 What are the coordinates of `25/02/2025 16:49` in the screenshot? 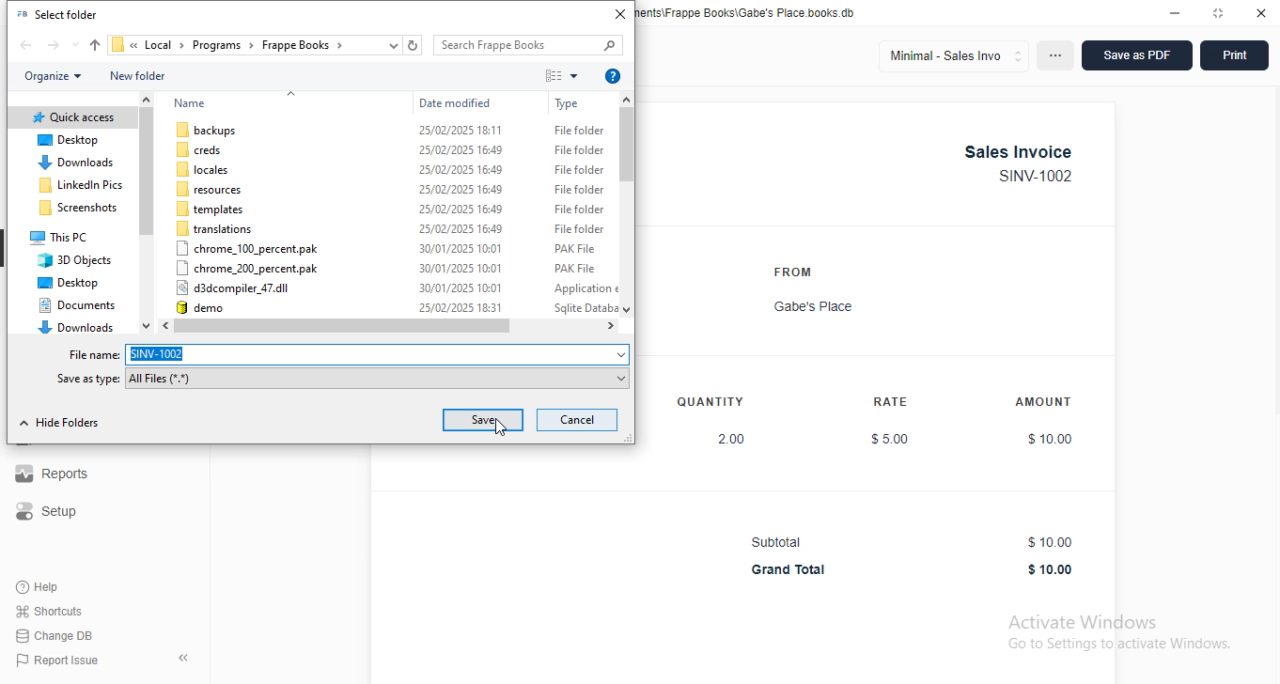 It's located at (461, 209).